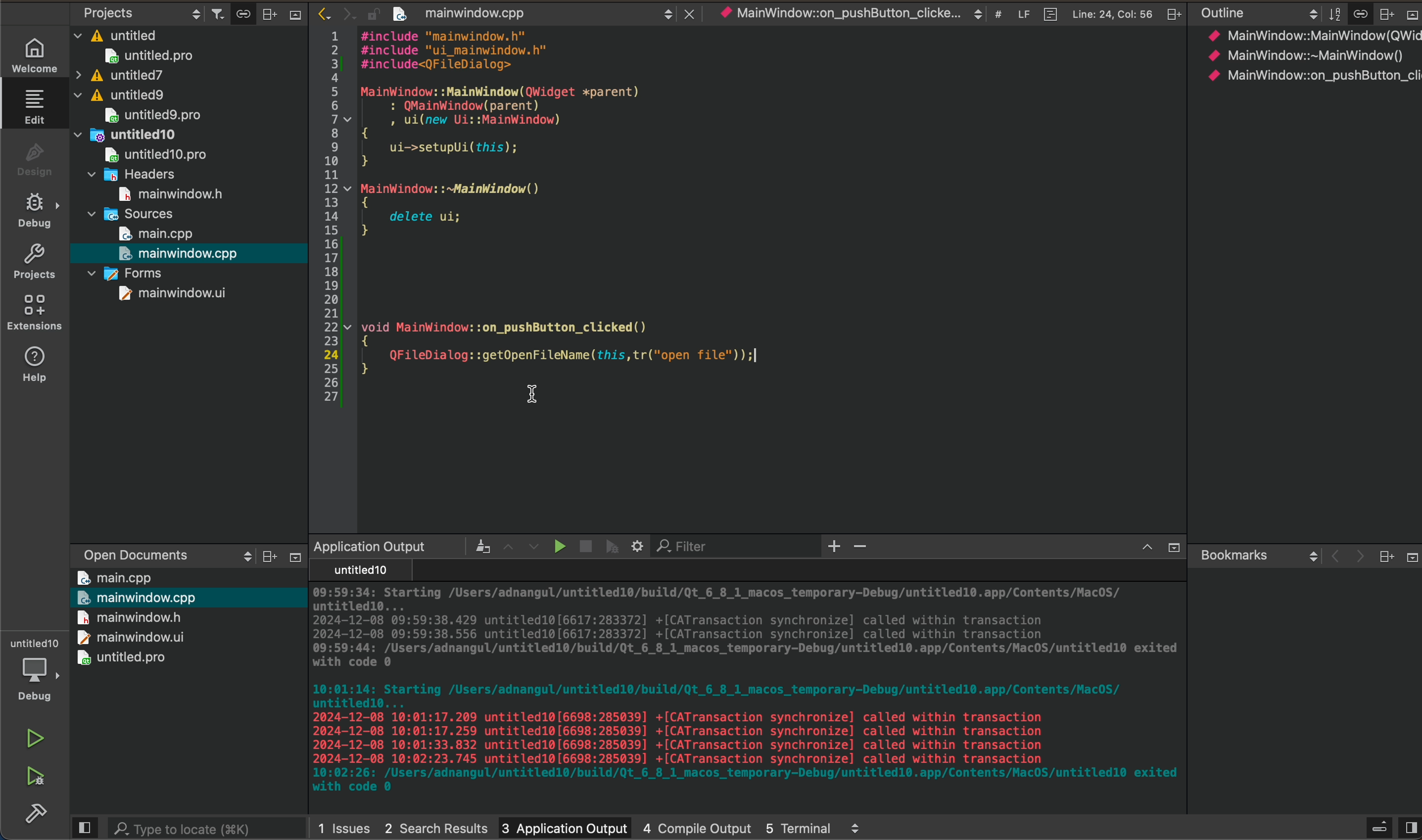  Describe the element at coordinates (173, 293) in the screenshot. I see `mainwindow.ui` at that location.